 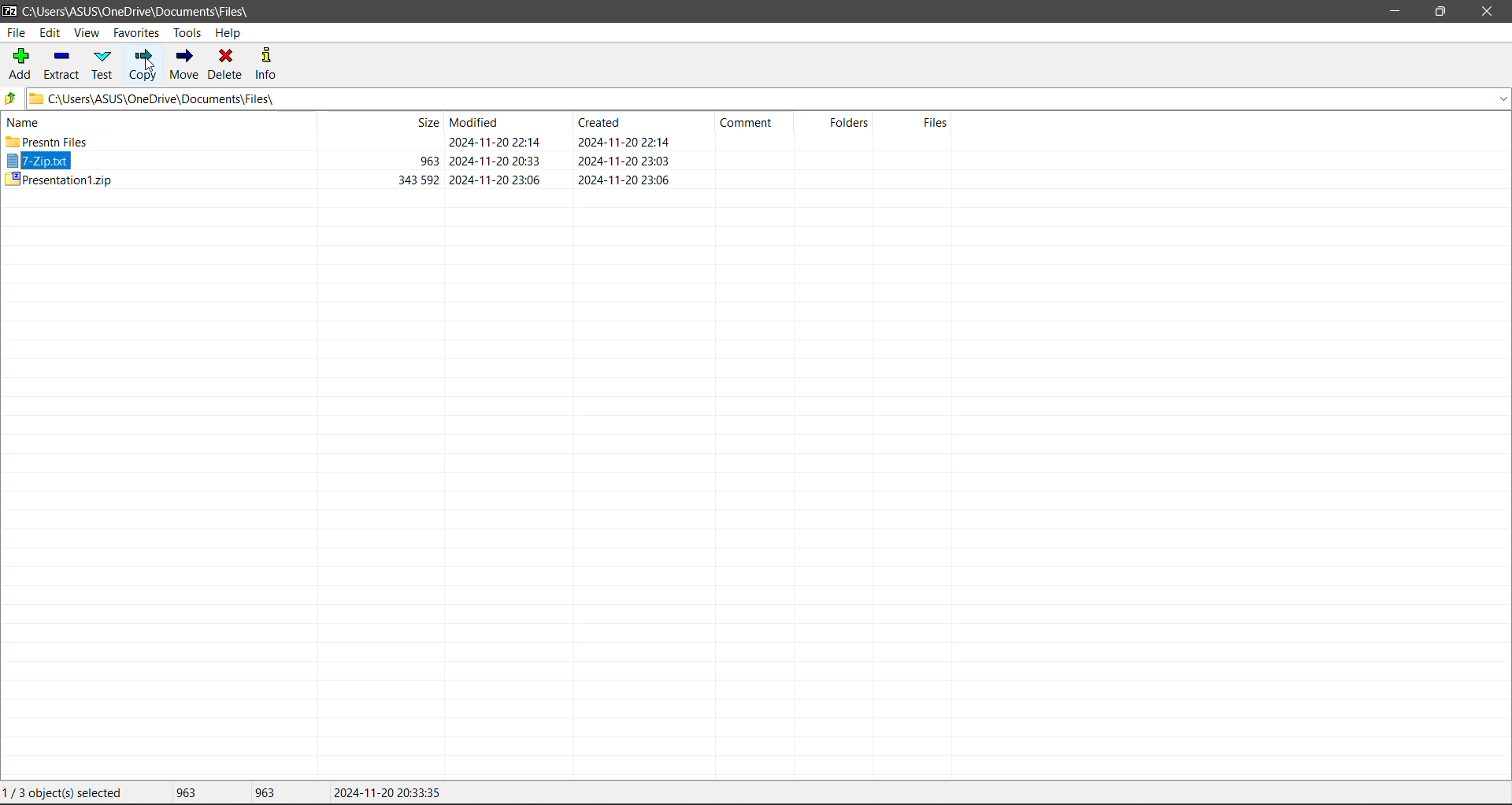 I want to click on Info, so click(x=267, y=62).